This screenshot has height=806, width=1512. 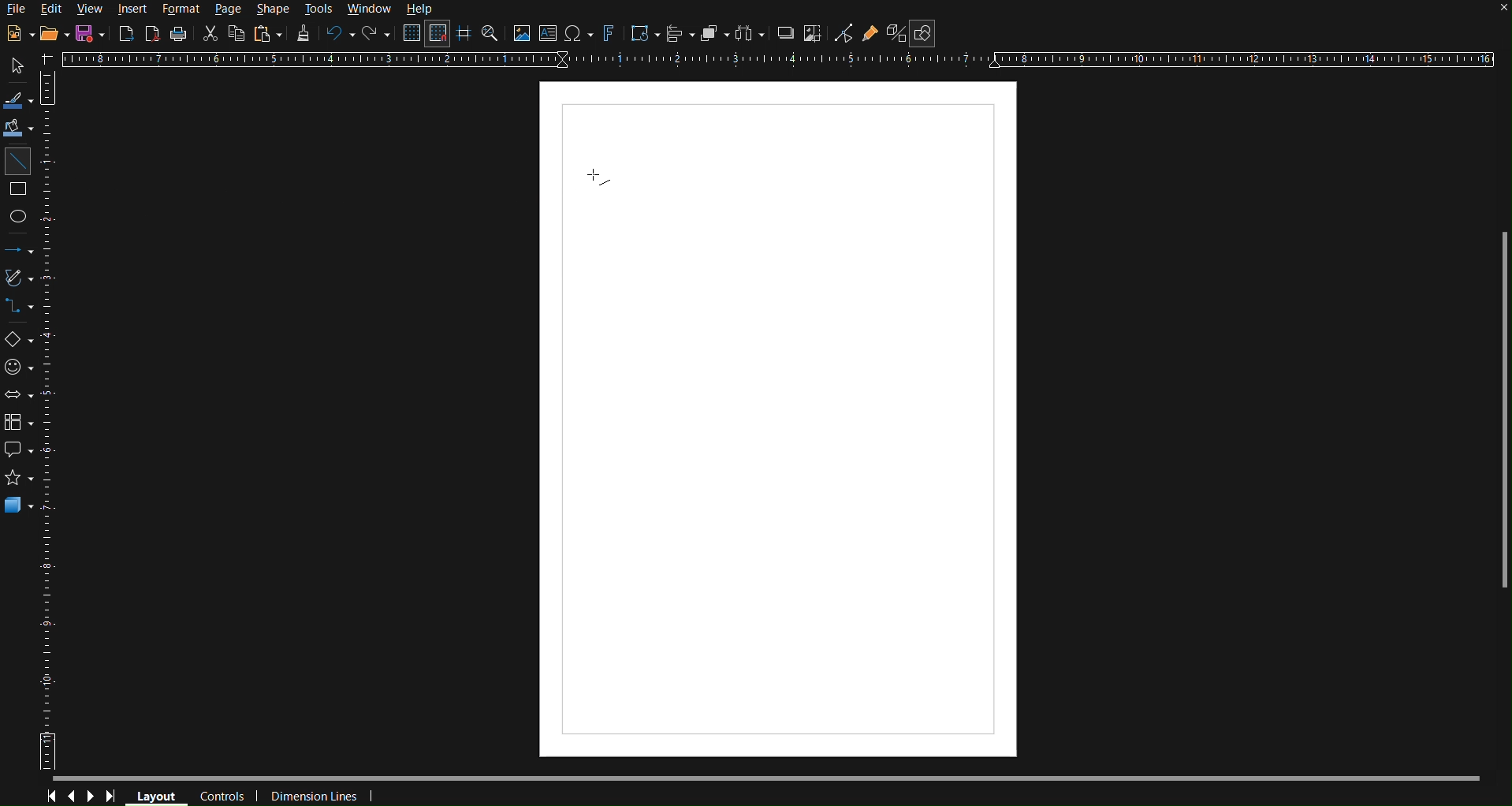 What do you see at coordinates (19, 504) in the screenshot?
I see `3D Objects` at bounding box center [19, 504].